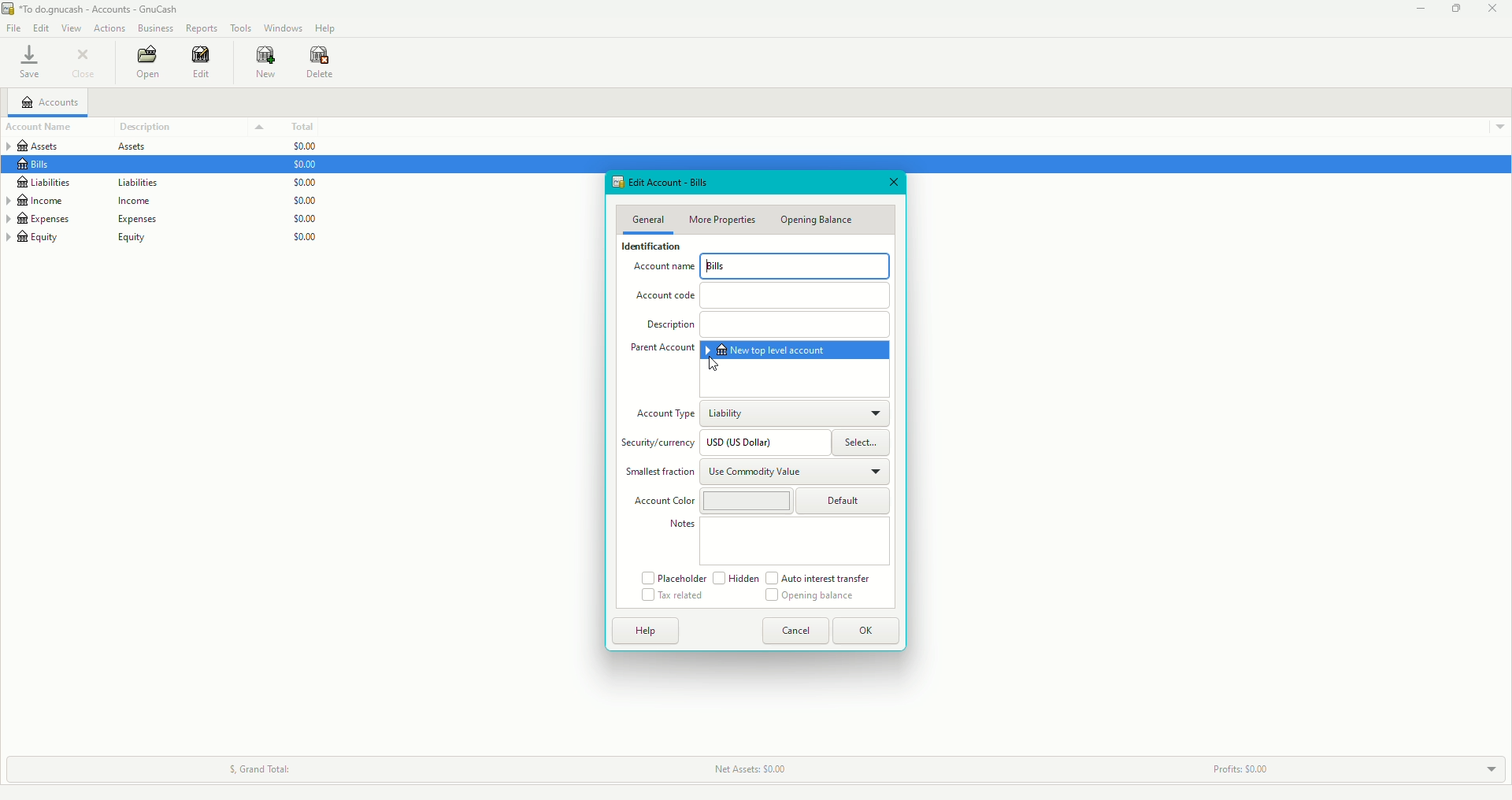 This screenshot has height=800, width=1512. I want to click on $0, so click(312, 198).